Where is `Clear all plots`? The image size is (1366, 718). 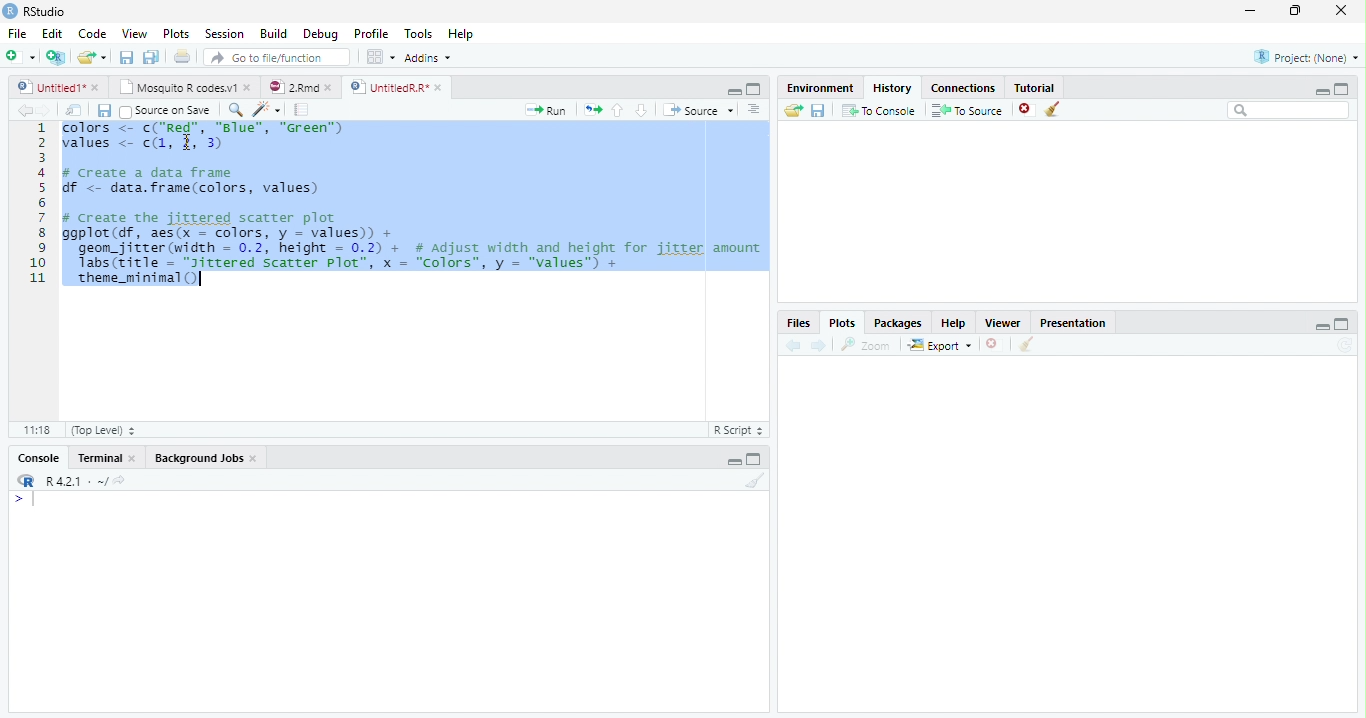
Clear all plots is located at coordinates (1025, 344).